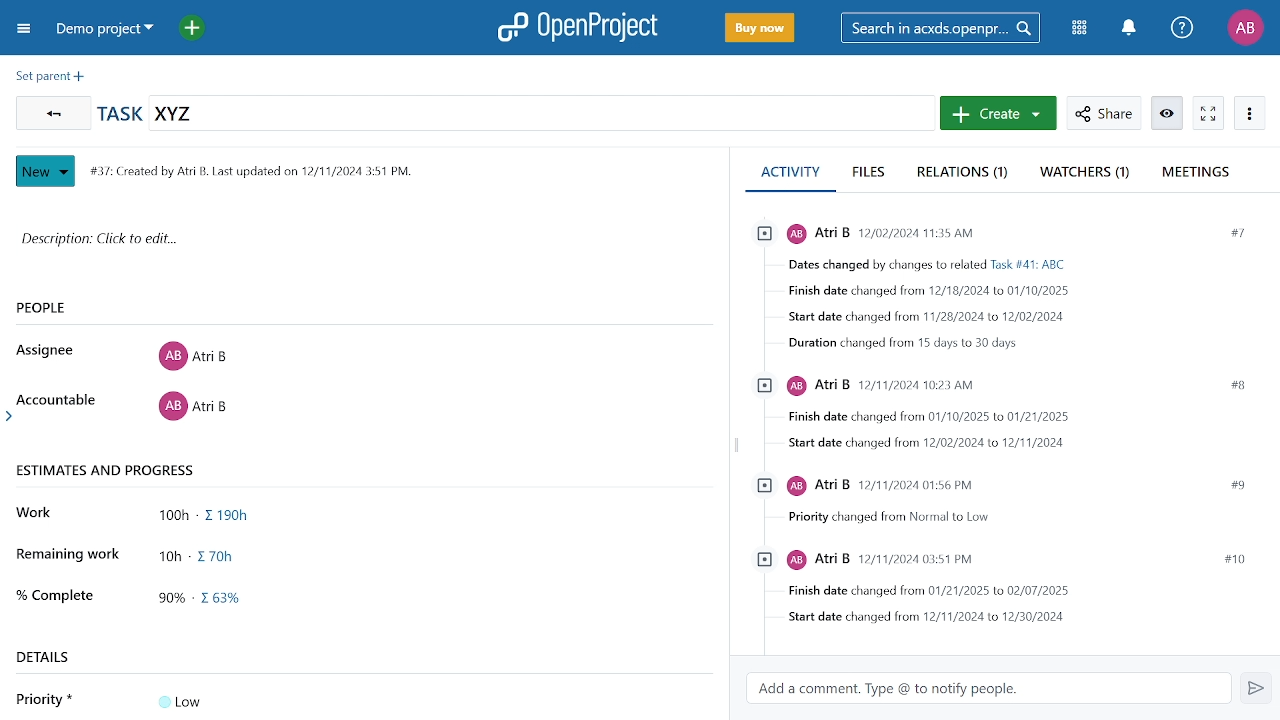  Describe the element at coordinates (796, 171) in the screenshot. I see `Acivitty` at that location.